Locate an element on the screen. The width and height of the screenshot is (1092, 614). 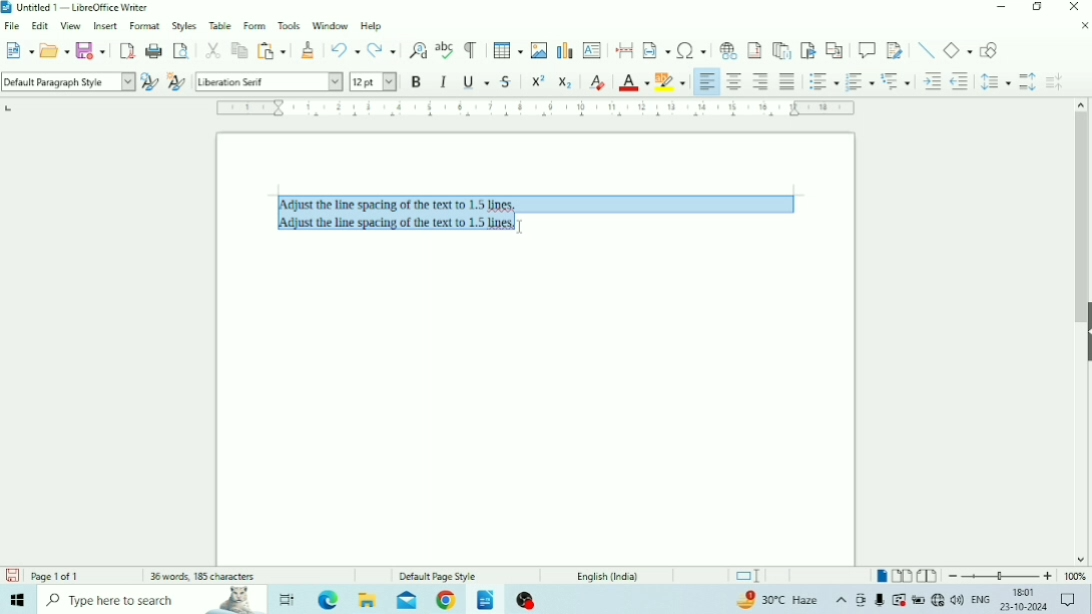
Increase Indent is located at coordinates (933, 82).